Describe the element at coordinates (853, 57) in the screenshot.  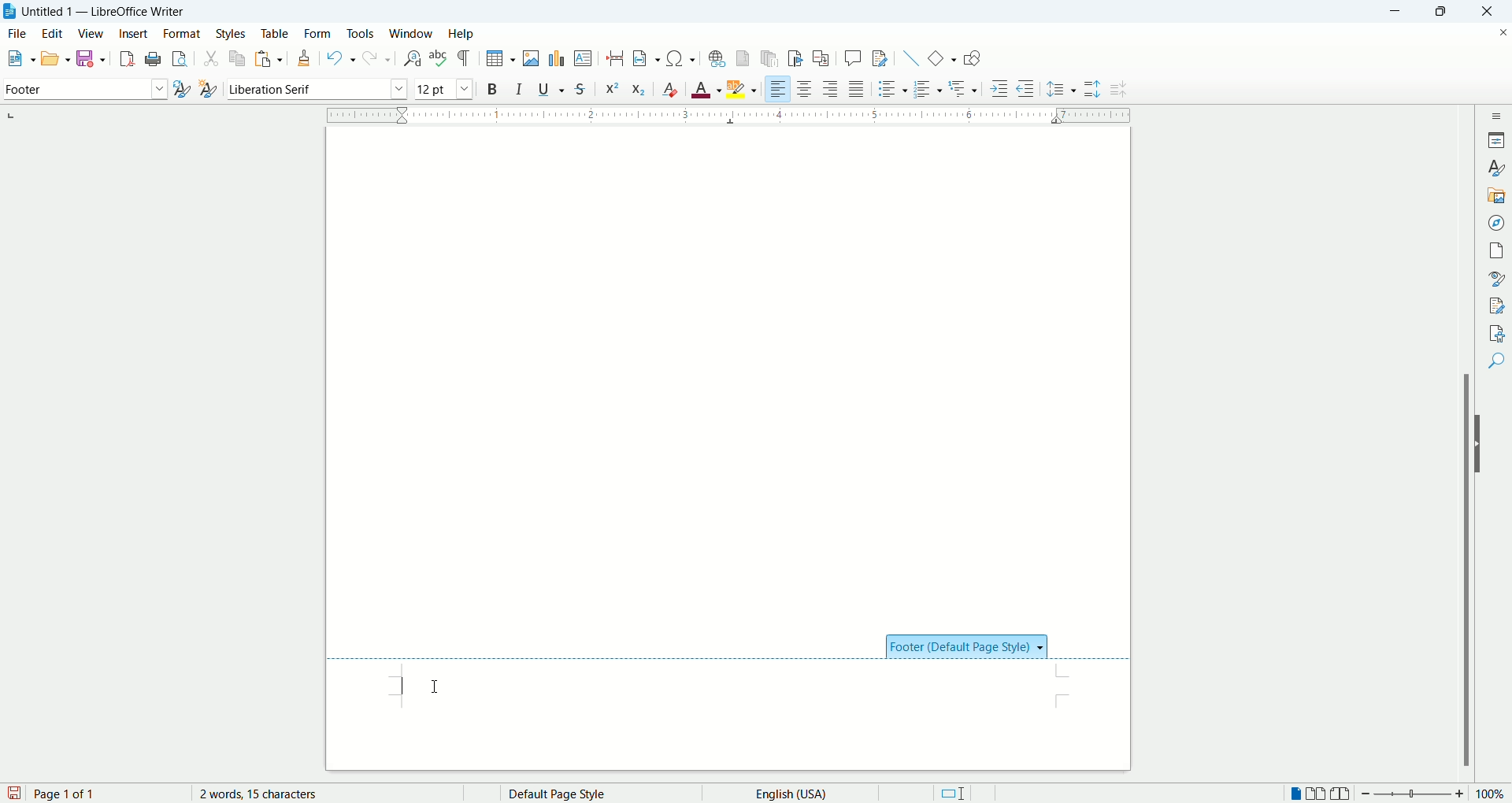
I see `insert comment` at that location.